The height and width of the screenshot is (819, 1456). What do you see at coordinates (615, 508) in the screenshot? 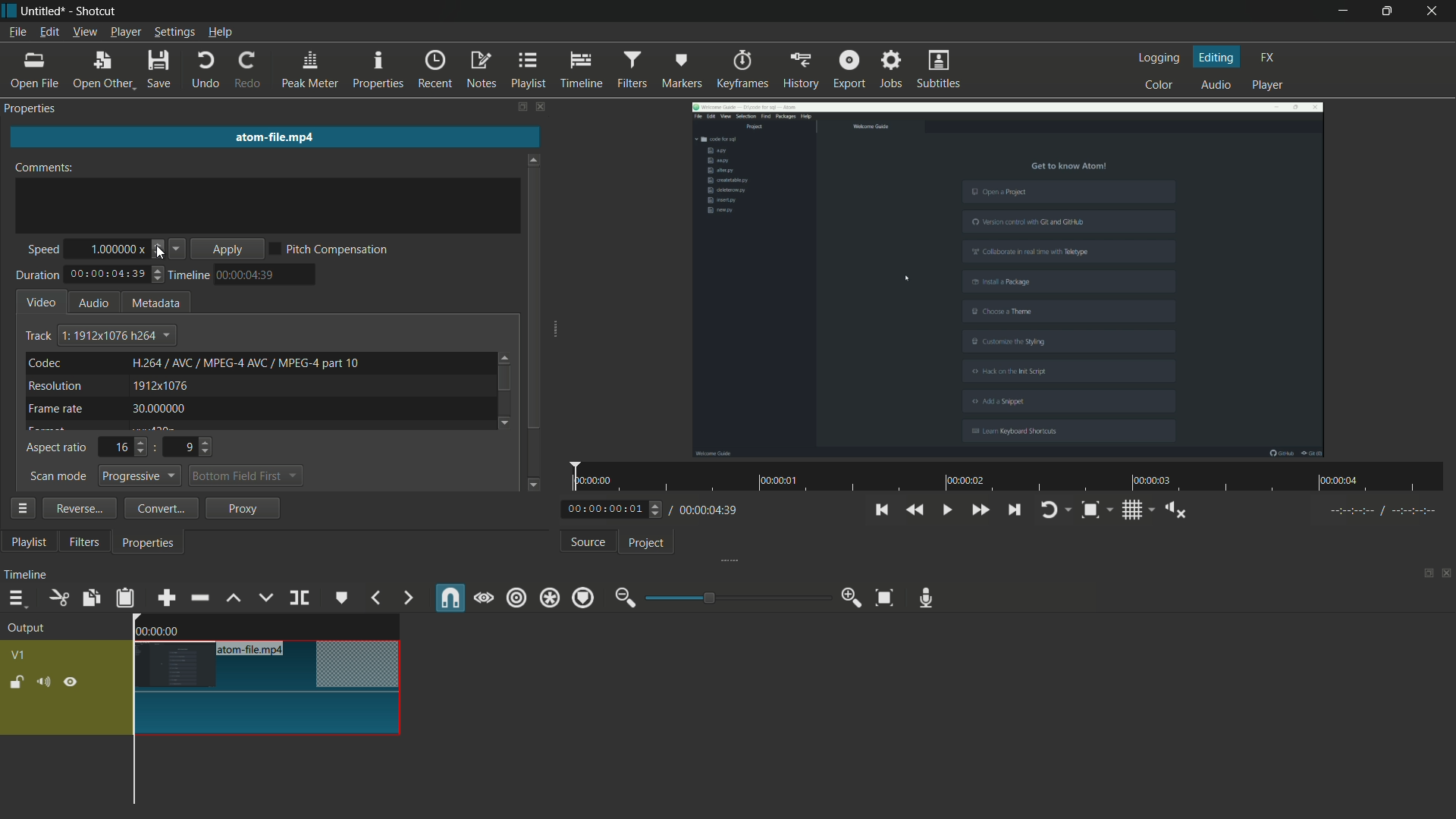
I see `adjust current time` at bounding box center [615, 508].